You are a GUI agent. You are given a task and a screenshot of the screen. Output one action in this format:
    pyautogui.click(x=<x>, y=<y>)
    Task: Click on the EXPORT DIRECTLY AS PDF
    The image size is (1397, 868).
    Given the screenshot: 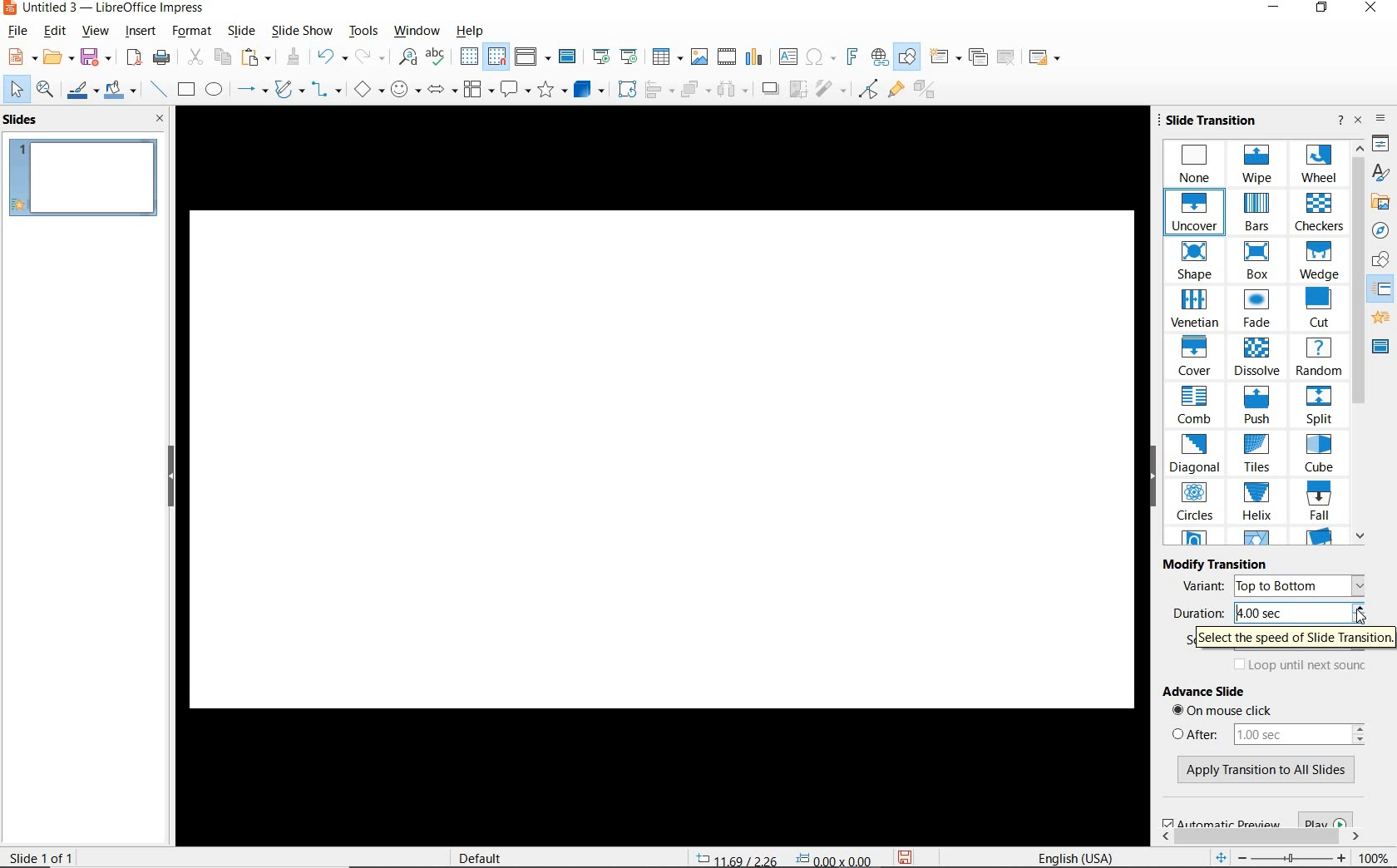 What is the action you would take?
    pyautogui.click(x=136, y=56)
    